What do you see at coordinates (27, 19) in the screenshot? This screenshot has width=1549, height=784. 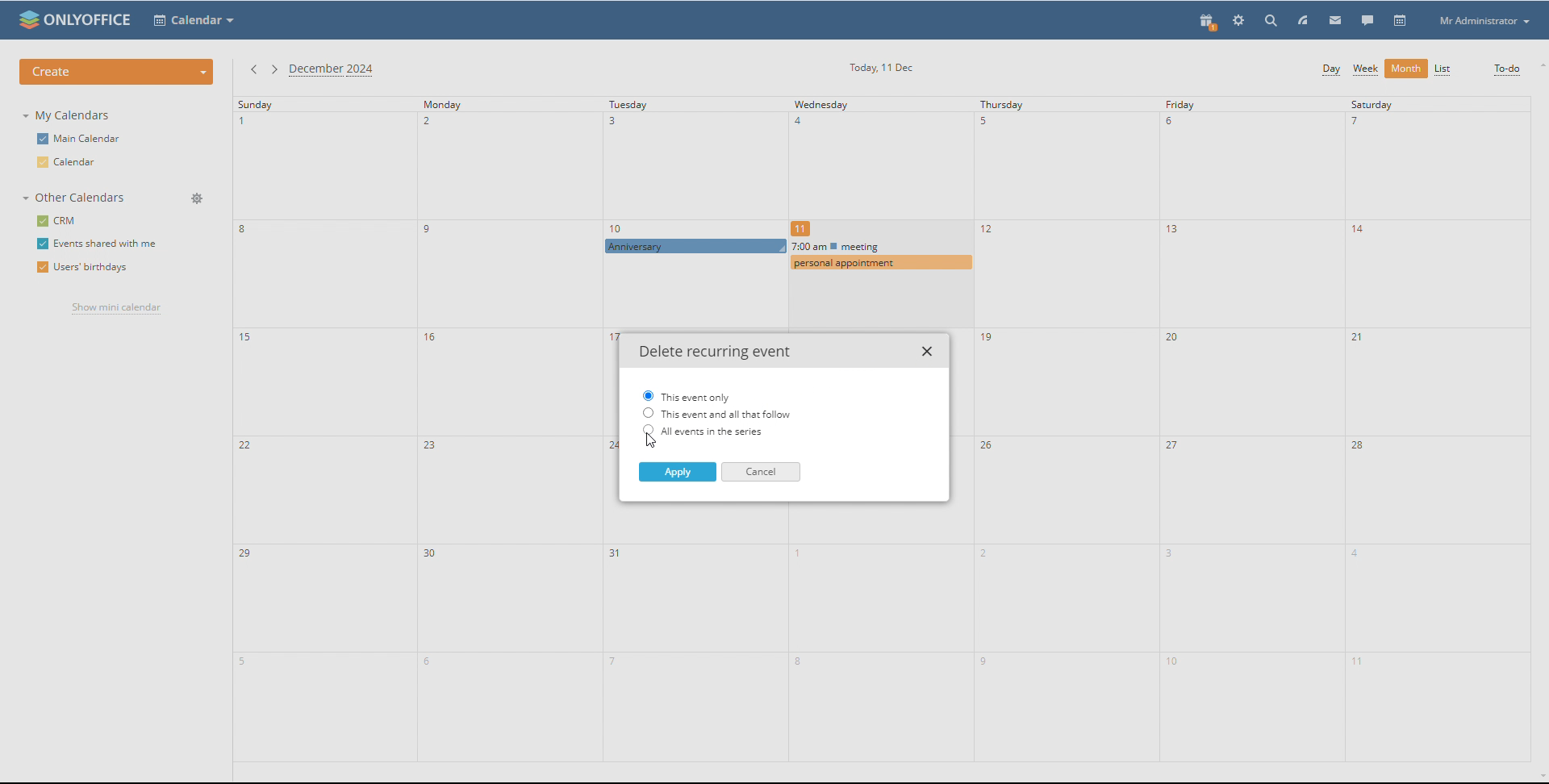 I see `onlyoffice logo` at bounding box center [27, 19].